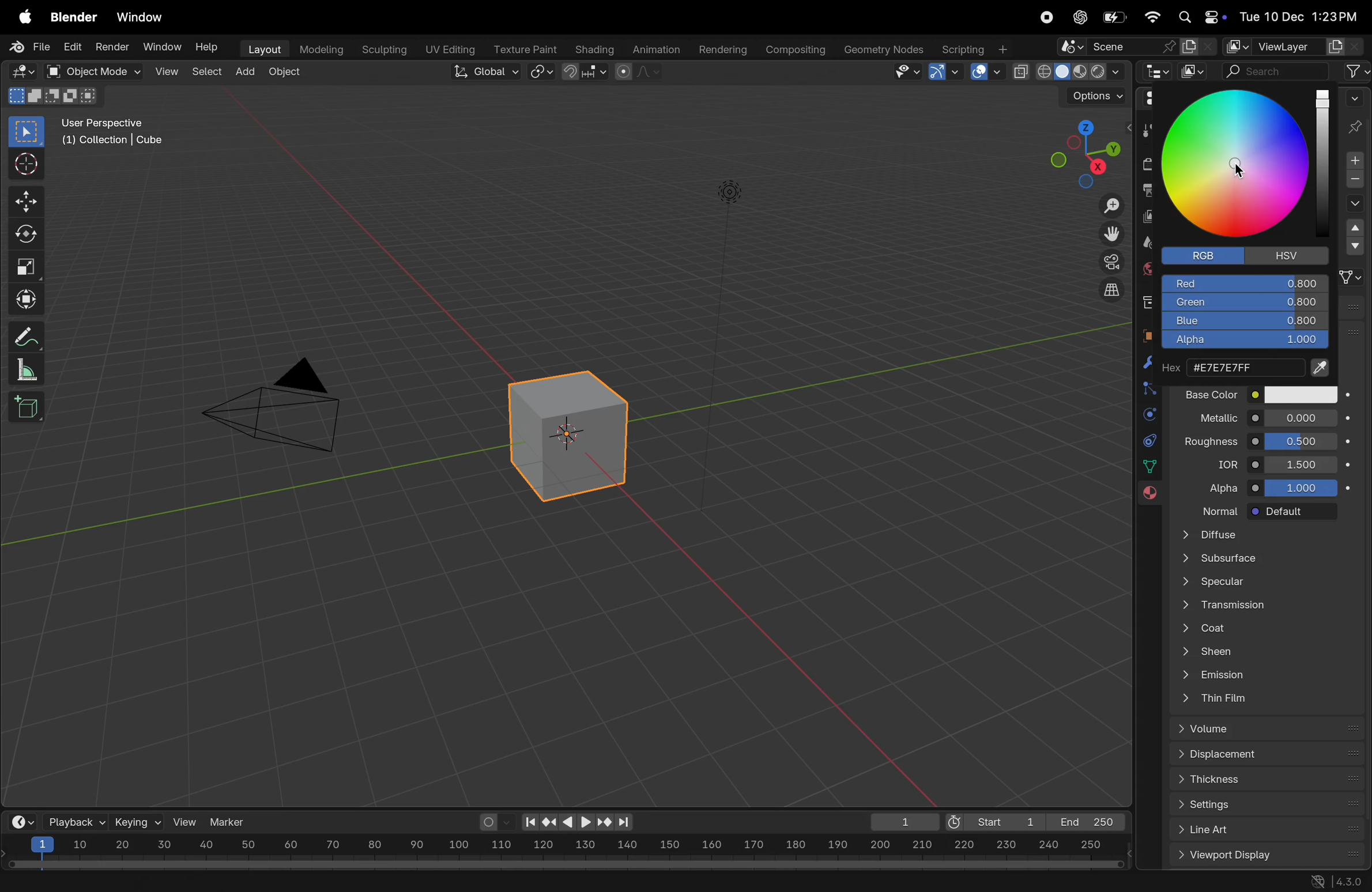 The width and height of the screenshot is (1372, 892). What do you see at coordinates (1237, 163) in the screenshot?
I see `color wheel` at bounding box center [1237, 163].